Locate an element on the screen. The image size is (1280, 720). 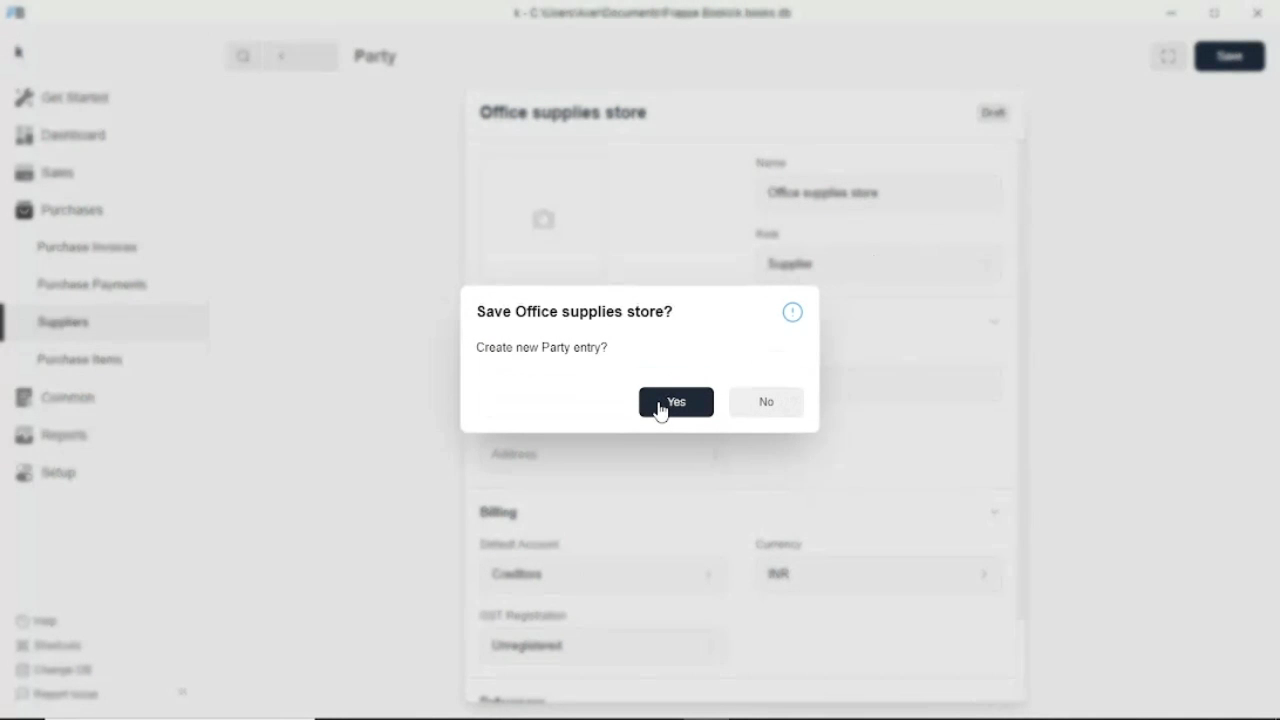
Save office supplies store? is located at coordinates (575, 312).